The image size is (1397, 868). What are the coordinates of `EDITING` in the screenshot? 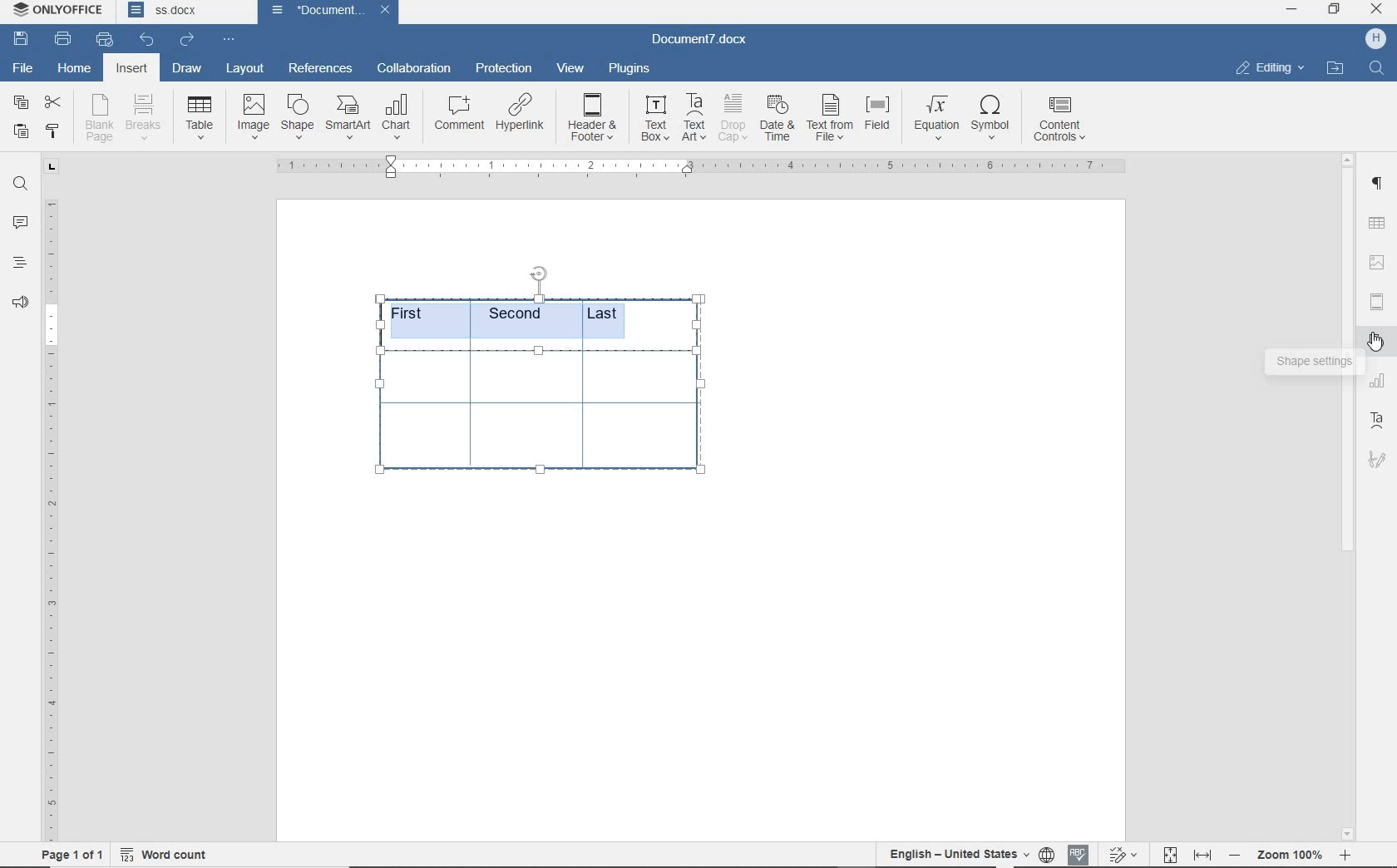 It's located at (1268, 67).